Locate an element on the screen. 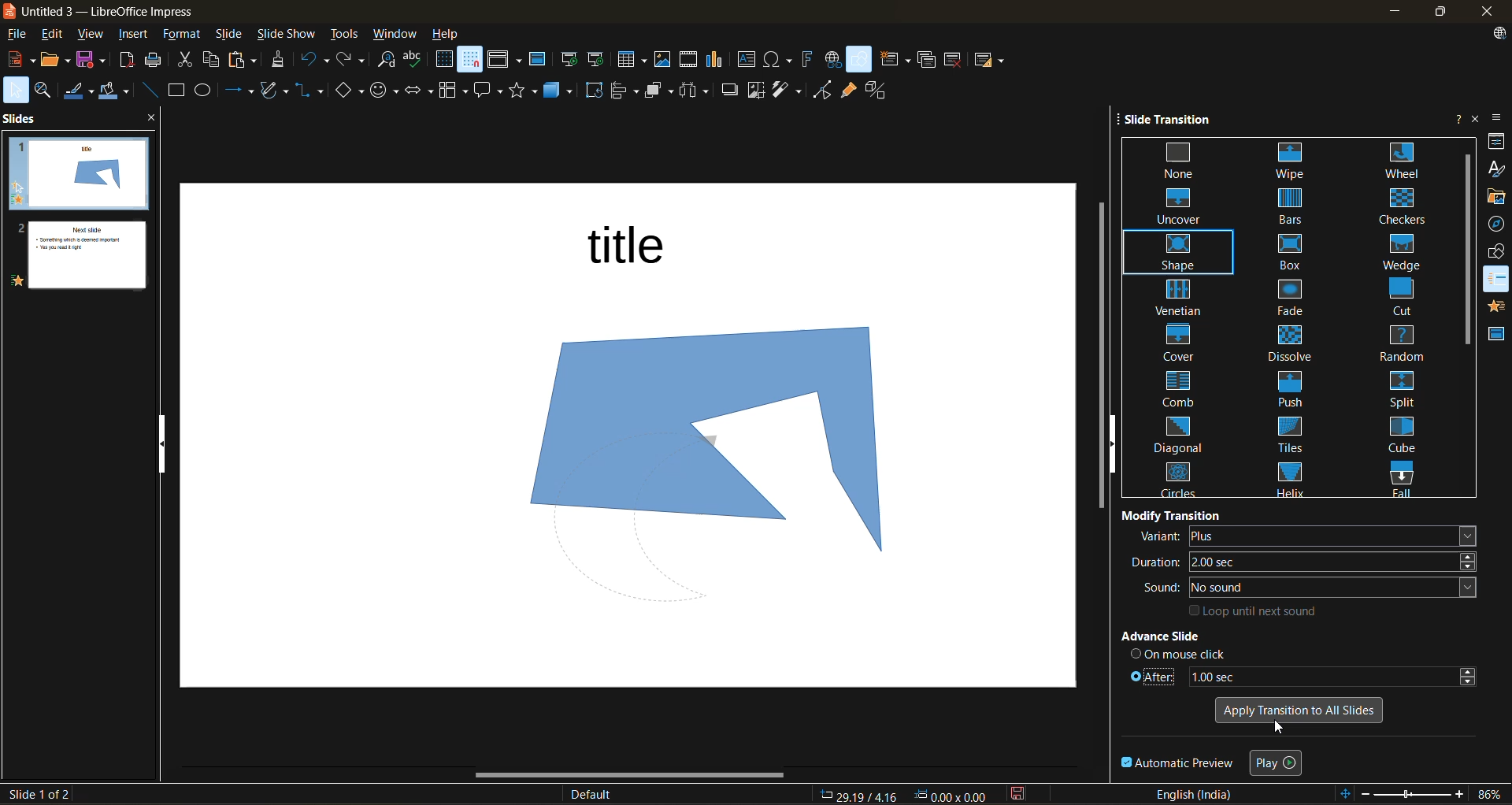 The height and width of the screenshot is (805, 1512). display grid is located at coordinates (444, 60).